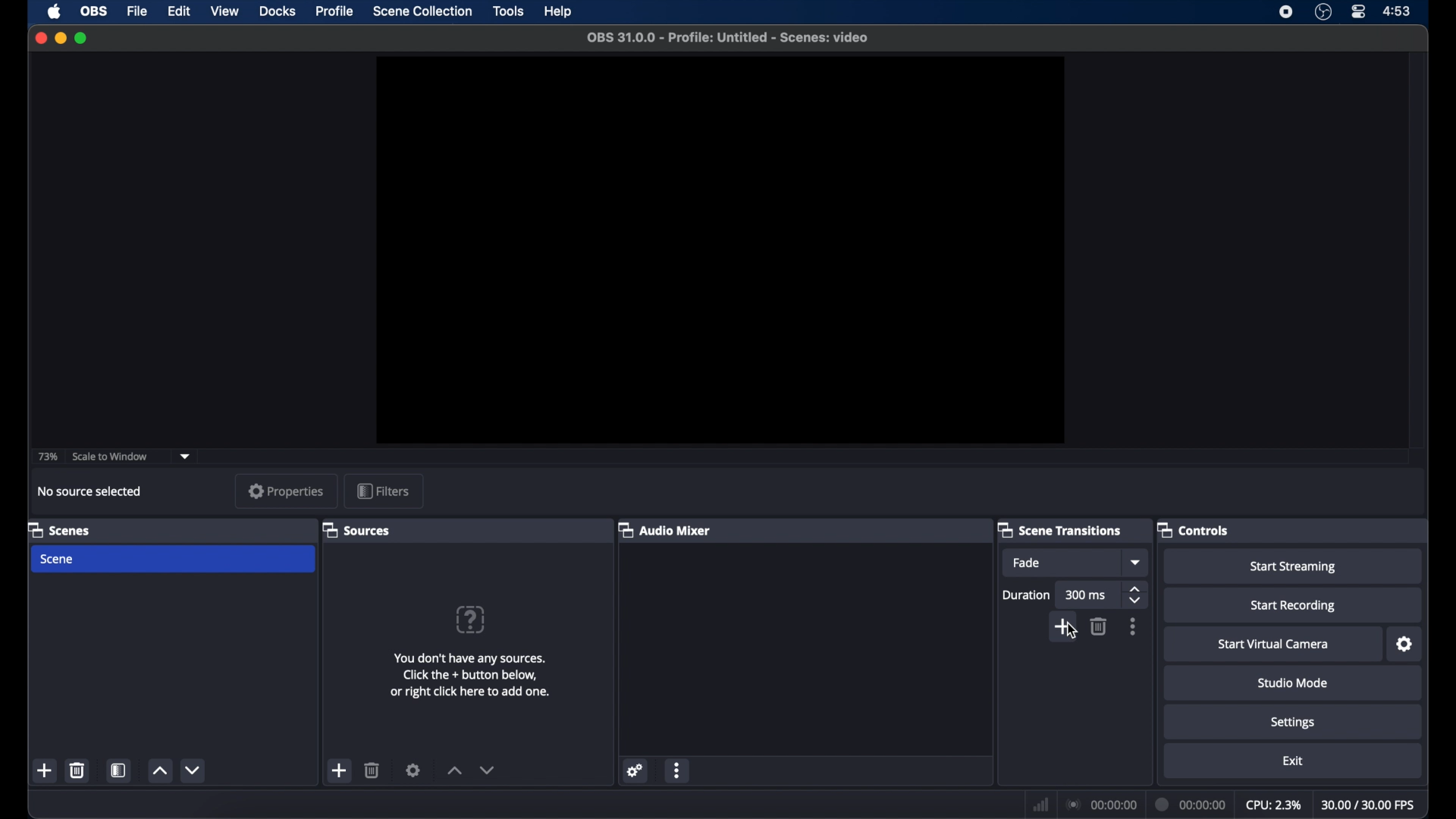 This screenshot has width=1456, height=819. Describe the element at coordinates (1193, 529) in the screenshot. I see `controls` at that location.